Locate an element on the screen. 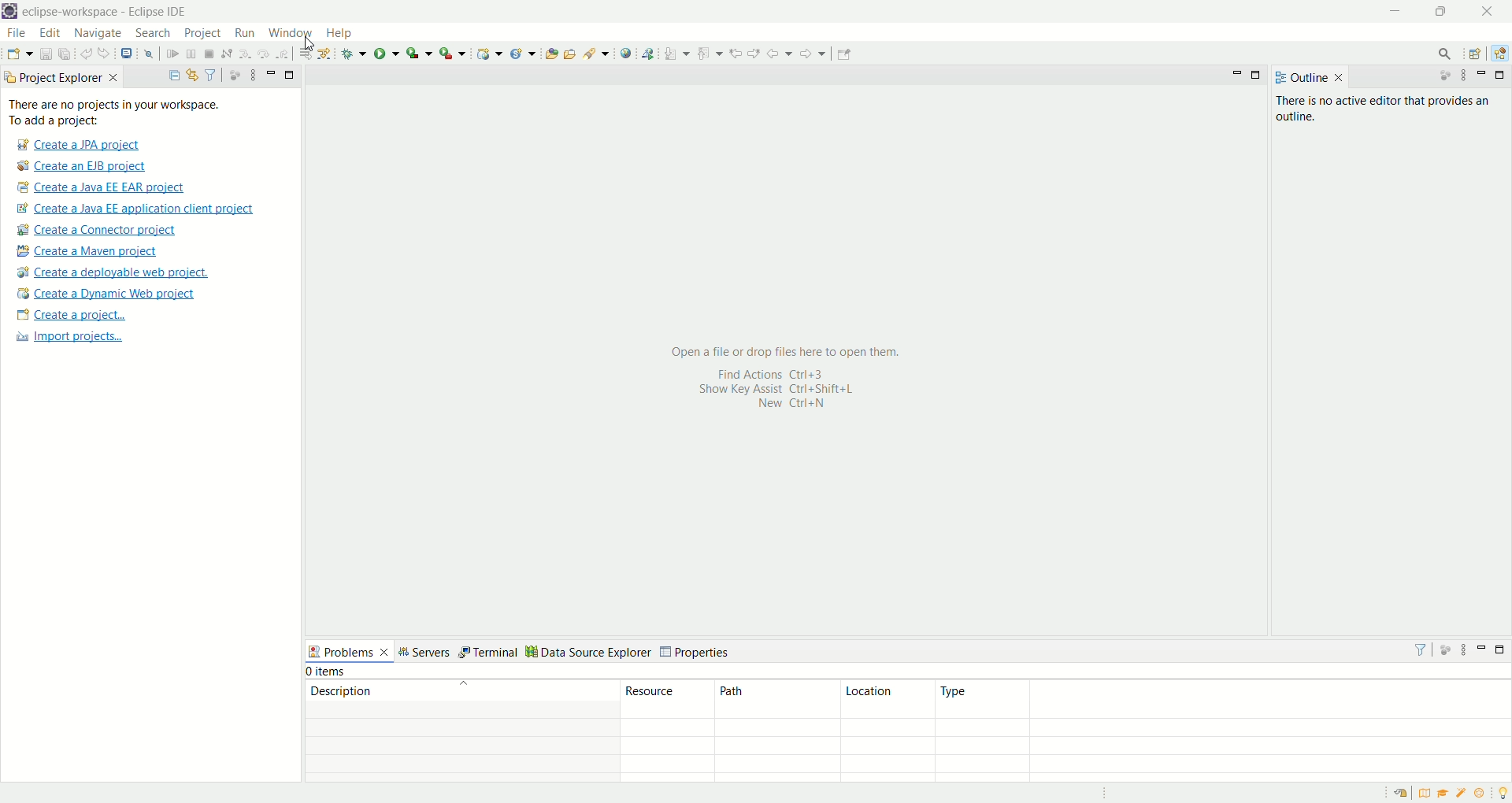  save is located at coordinates (45, 54).